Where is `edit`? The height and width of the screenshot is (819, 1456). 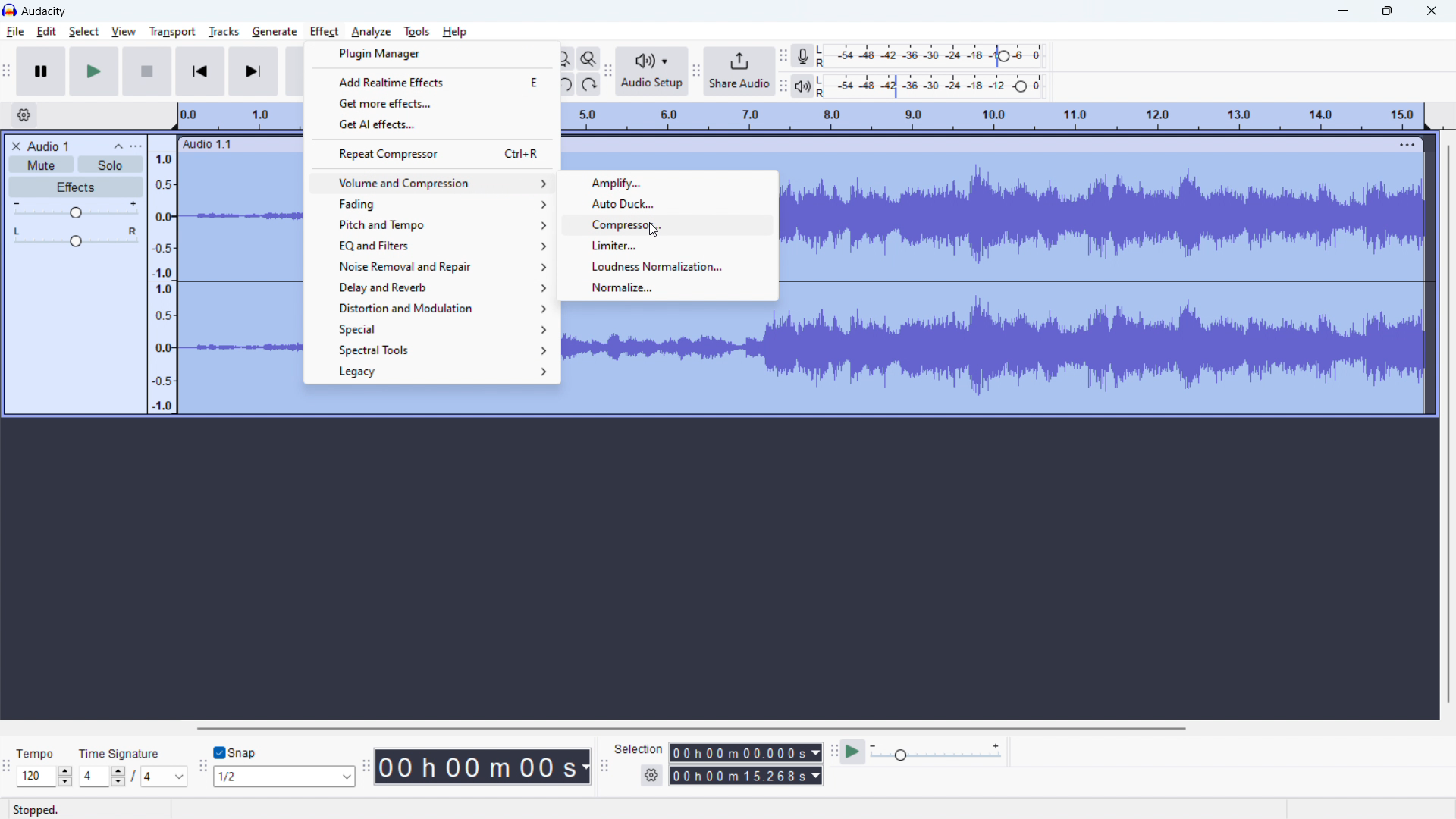 edit is located at coordinates (47, 31).